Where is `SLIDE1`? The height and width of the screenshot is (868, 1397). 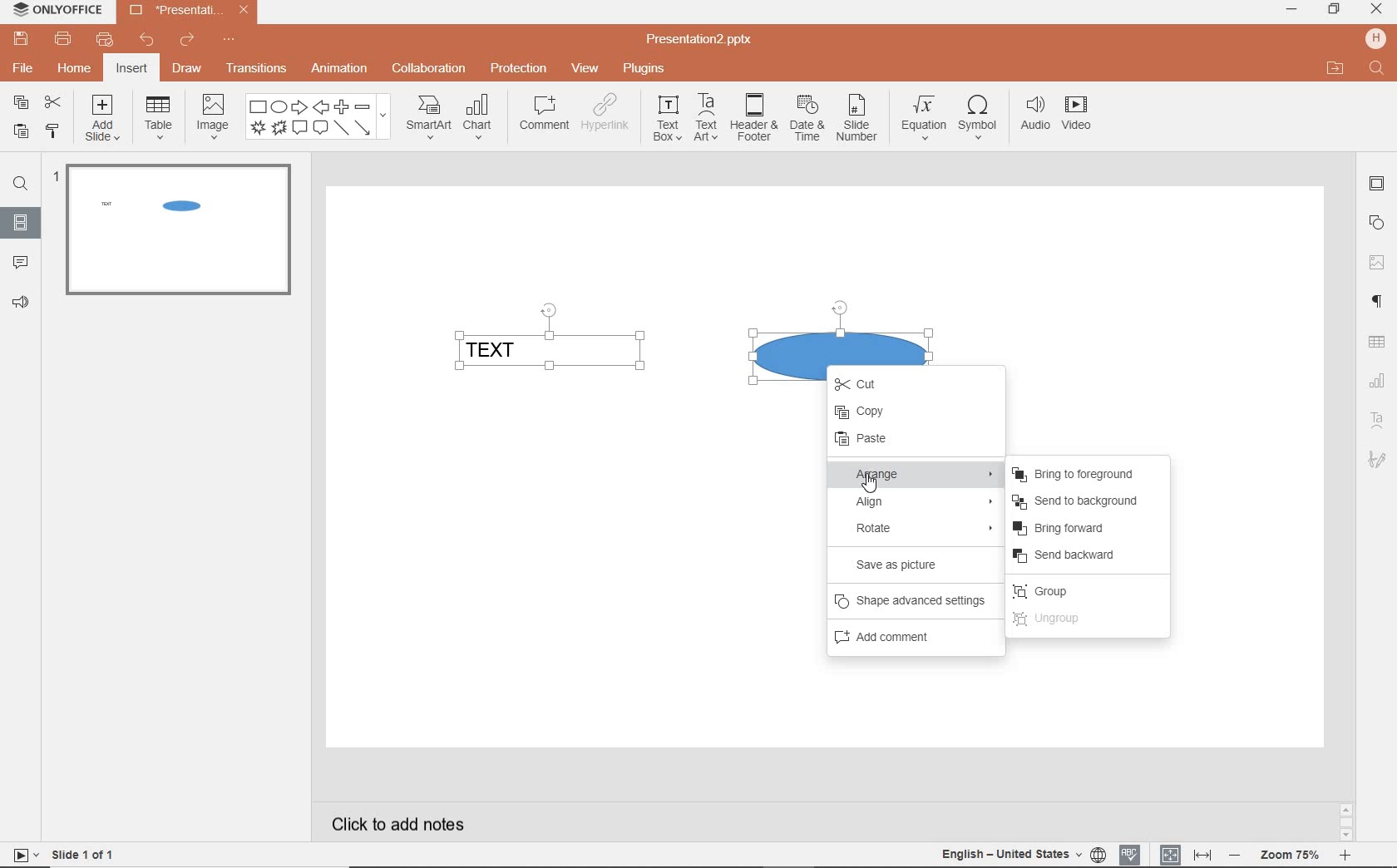
SLIDE1 is located at coordinates (178, 236).